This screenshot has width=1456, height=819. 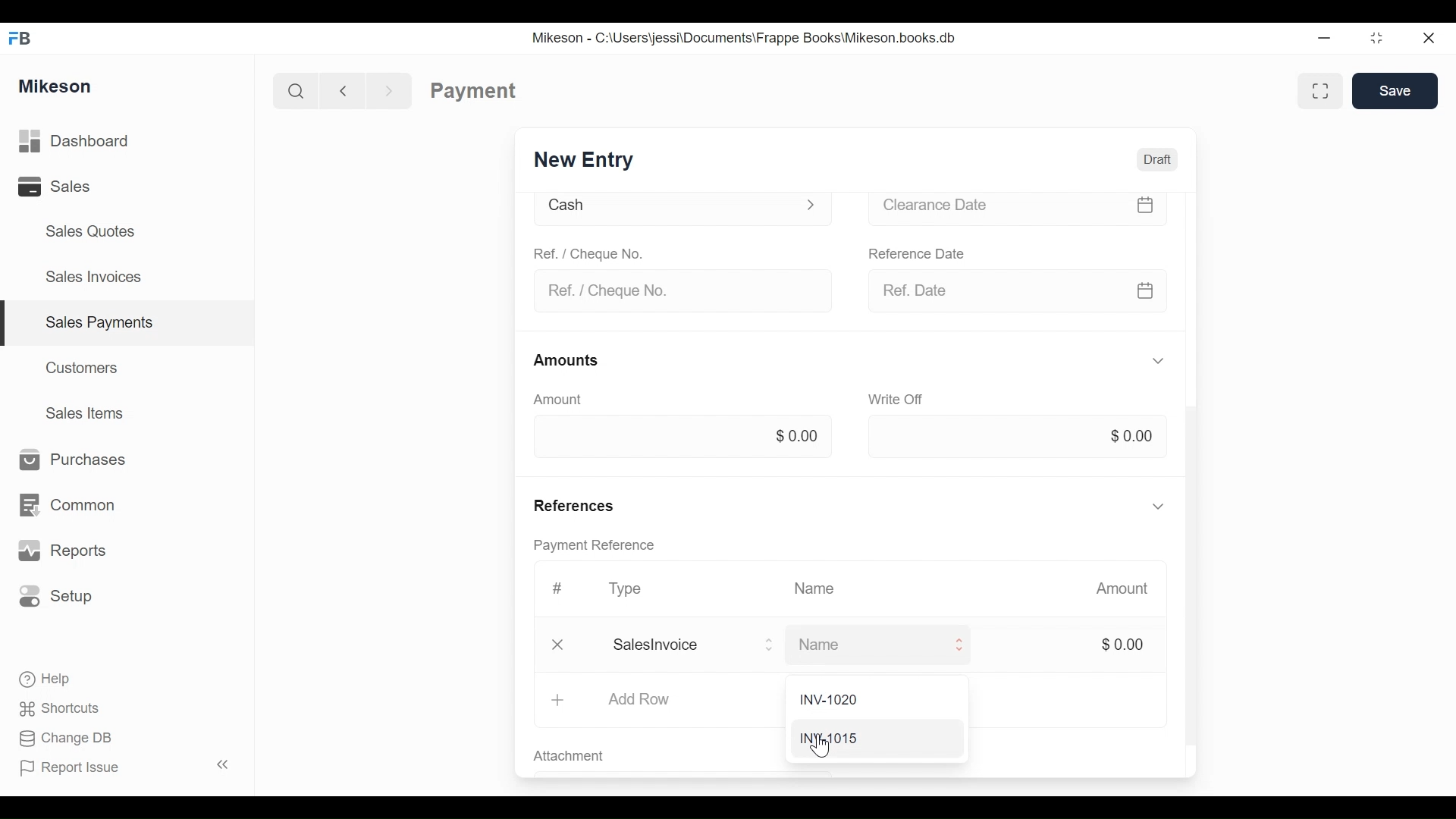 What do you see at coordinates (53, 188) in the screenshot?
I see `Sales` at bounding box center [53, 188].